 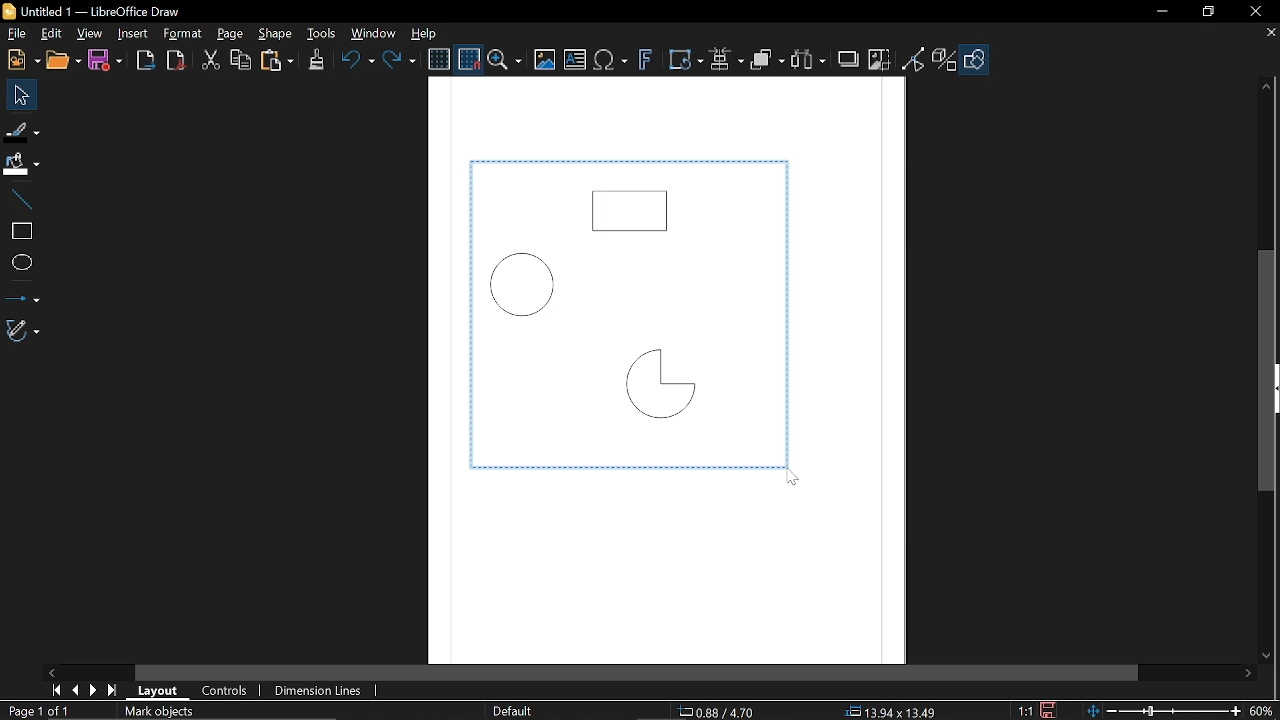 I want to click on Move left, so click(x=51, y=672).